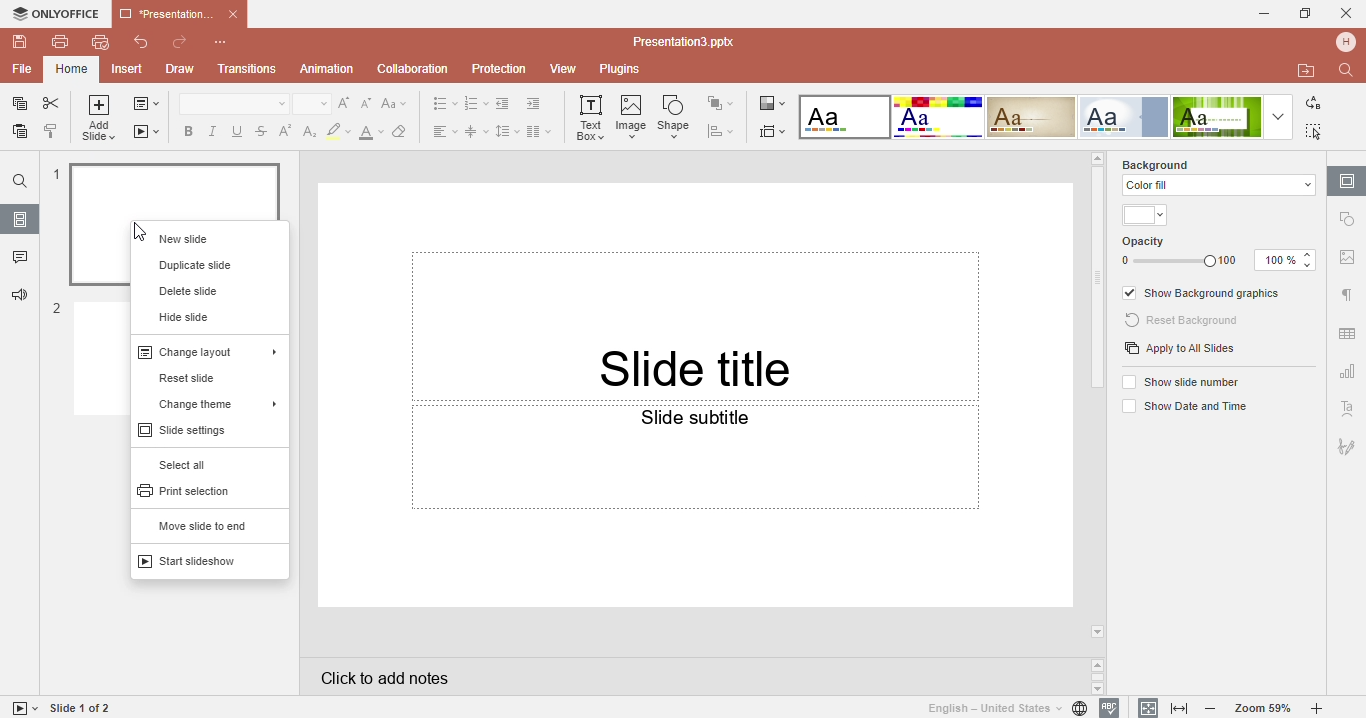 This screenshot has height=718, width=1366. I want to click on Shape settings, so click(1349, 219).